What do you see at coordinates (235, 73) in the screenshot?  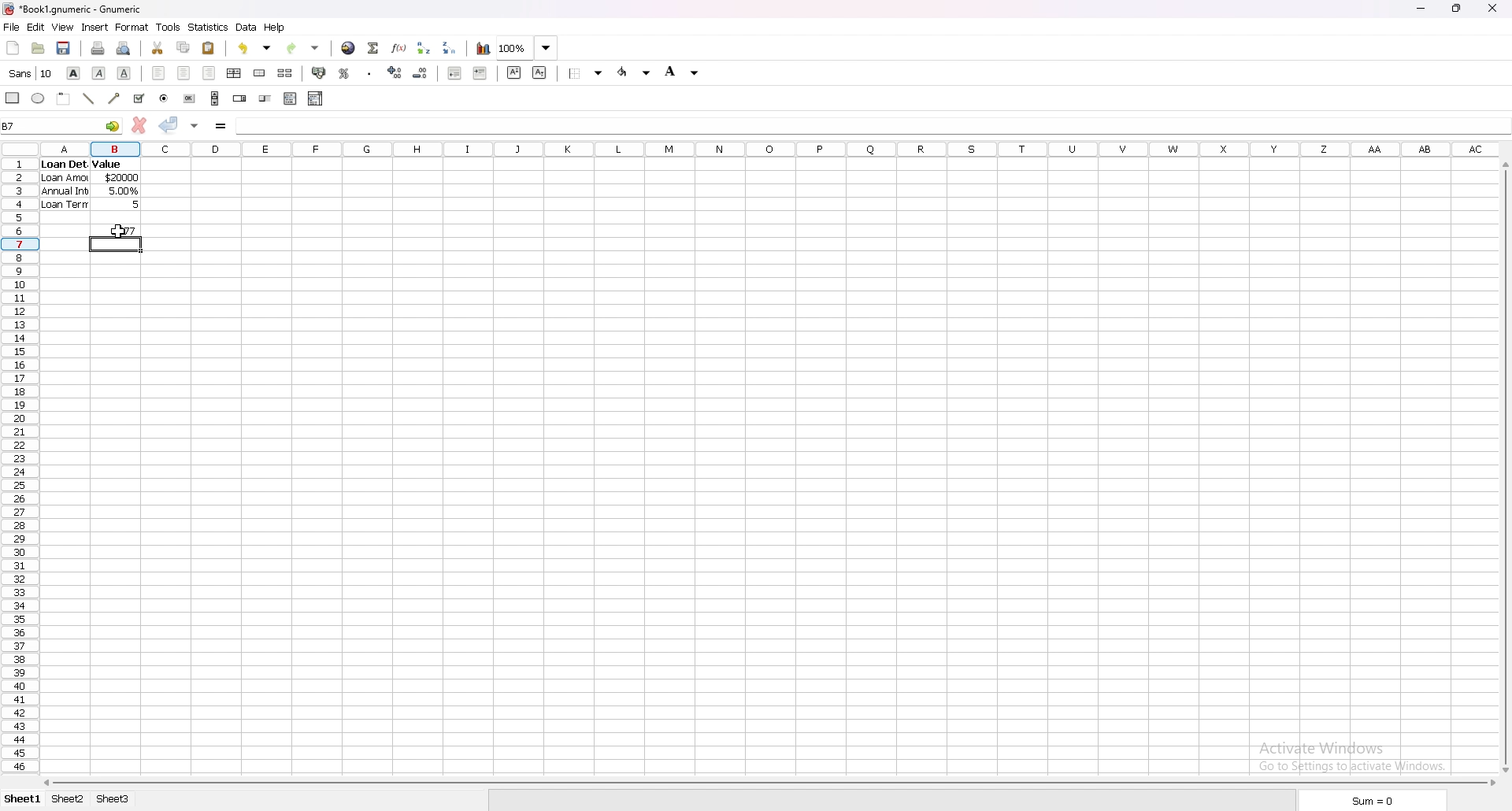 I see `centre horizontally` at bounding box center [235, 73].